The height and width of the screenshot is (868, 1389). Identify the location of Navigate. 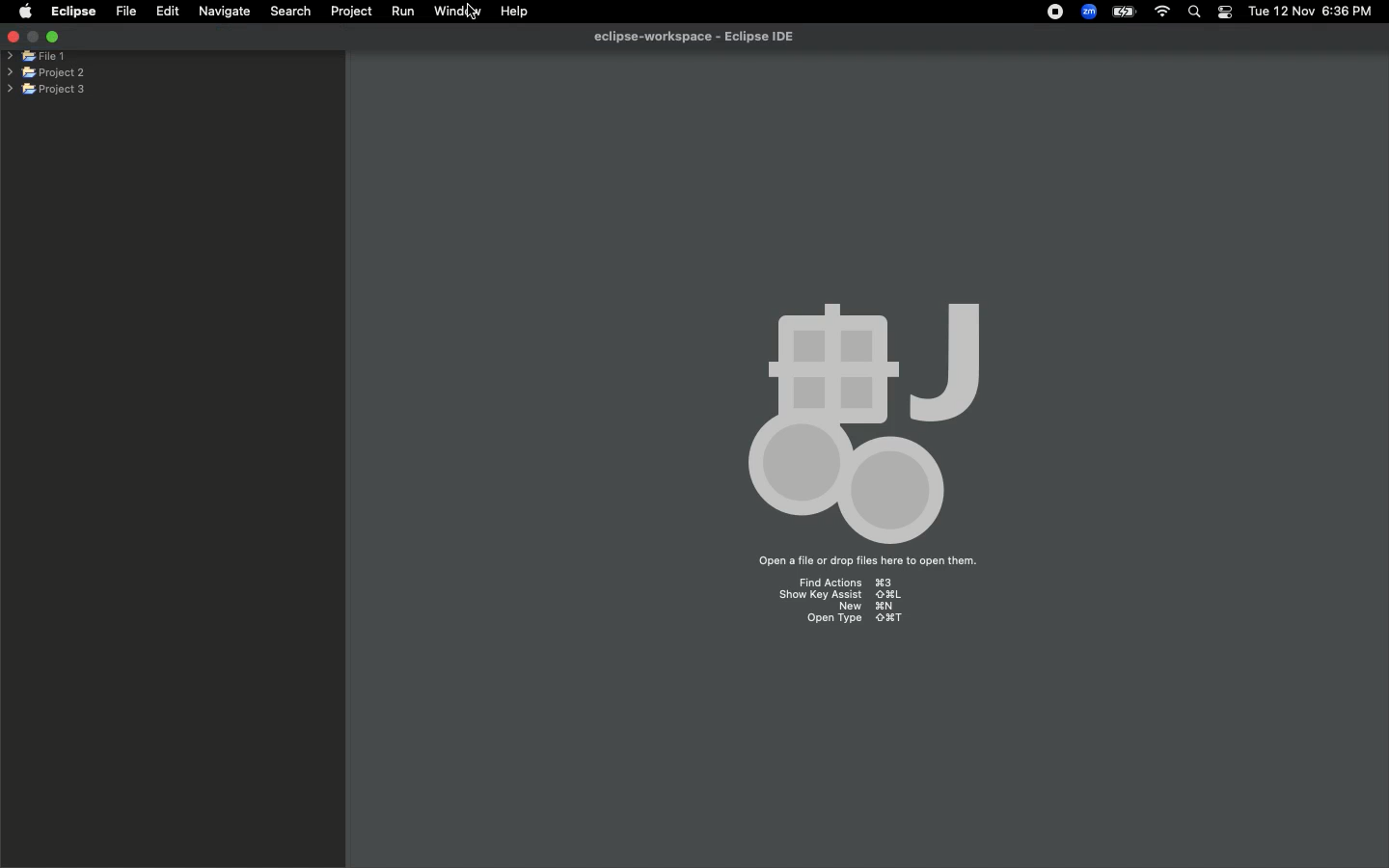
(226, 12).